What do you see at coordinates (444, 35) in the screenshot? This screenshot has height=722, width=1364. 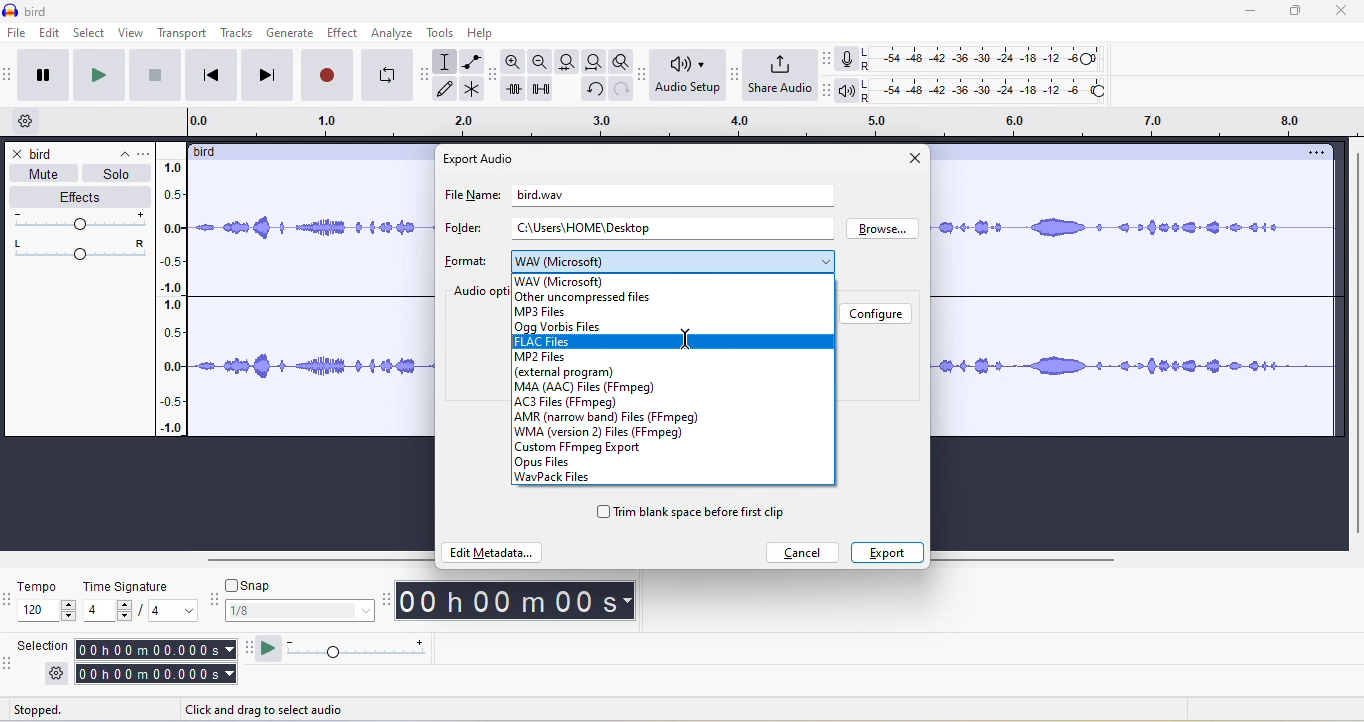 I see `tools` at bounding box center [444, 35].